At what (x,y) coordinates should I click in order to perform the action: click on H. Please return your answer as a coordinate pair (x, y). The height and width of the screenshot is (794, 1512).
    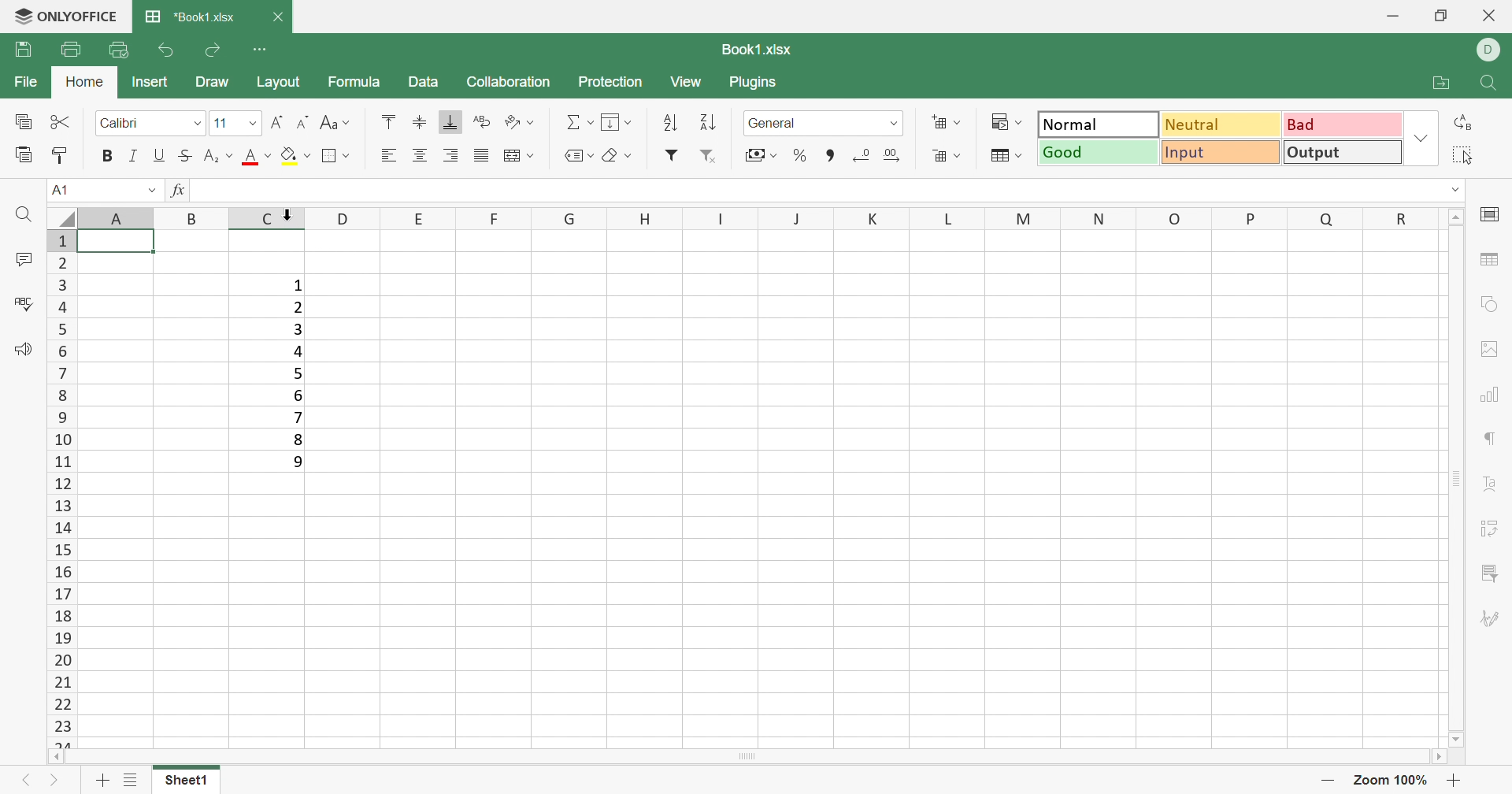
    Looking at the image, I should click on (642, 220).